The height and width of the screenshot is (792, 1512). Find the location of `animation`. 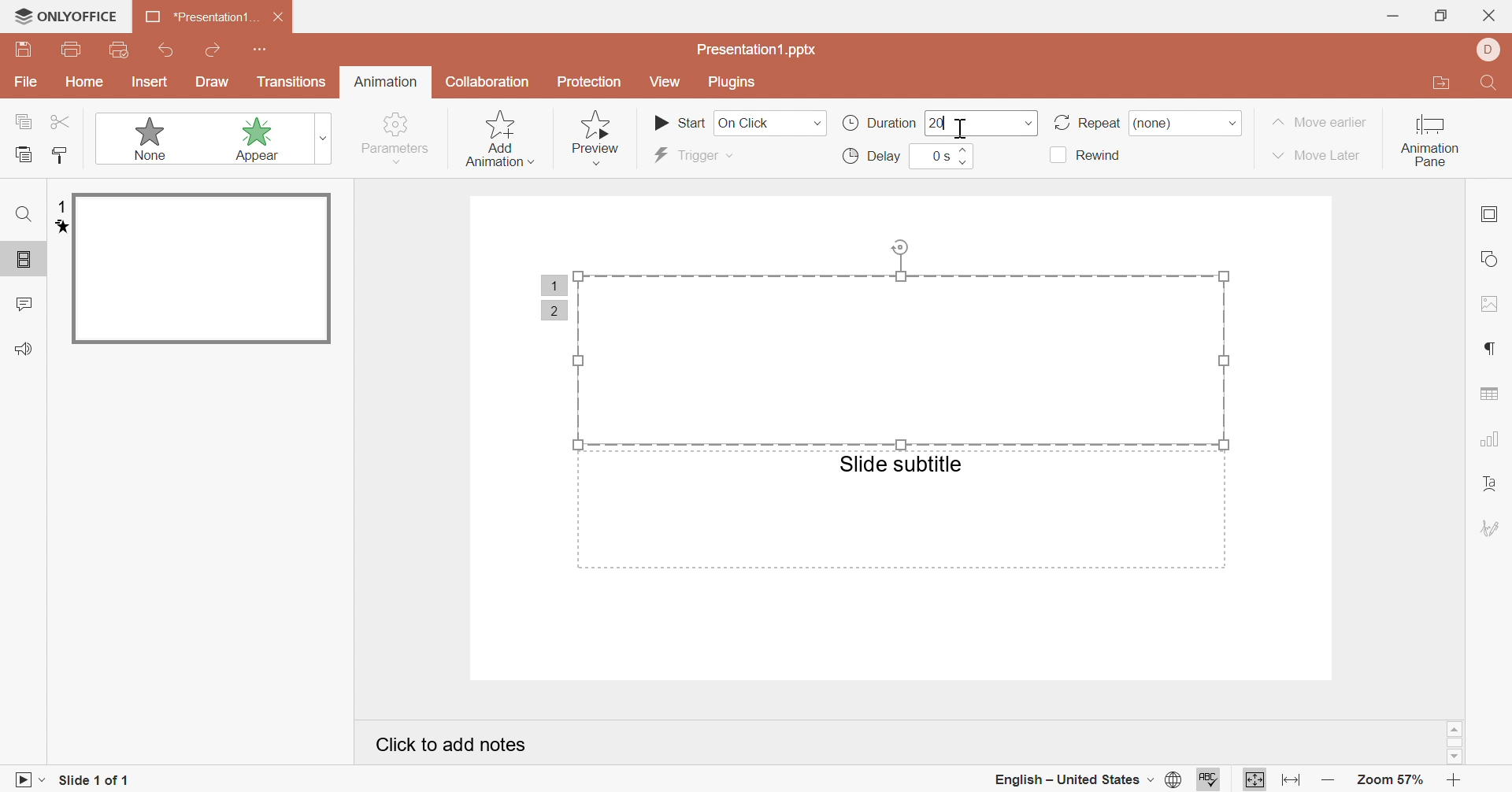

animation is located at coordinates (57, 228).